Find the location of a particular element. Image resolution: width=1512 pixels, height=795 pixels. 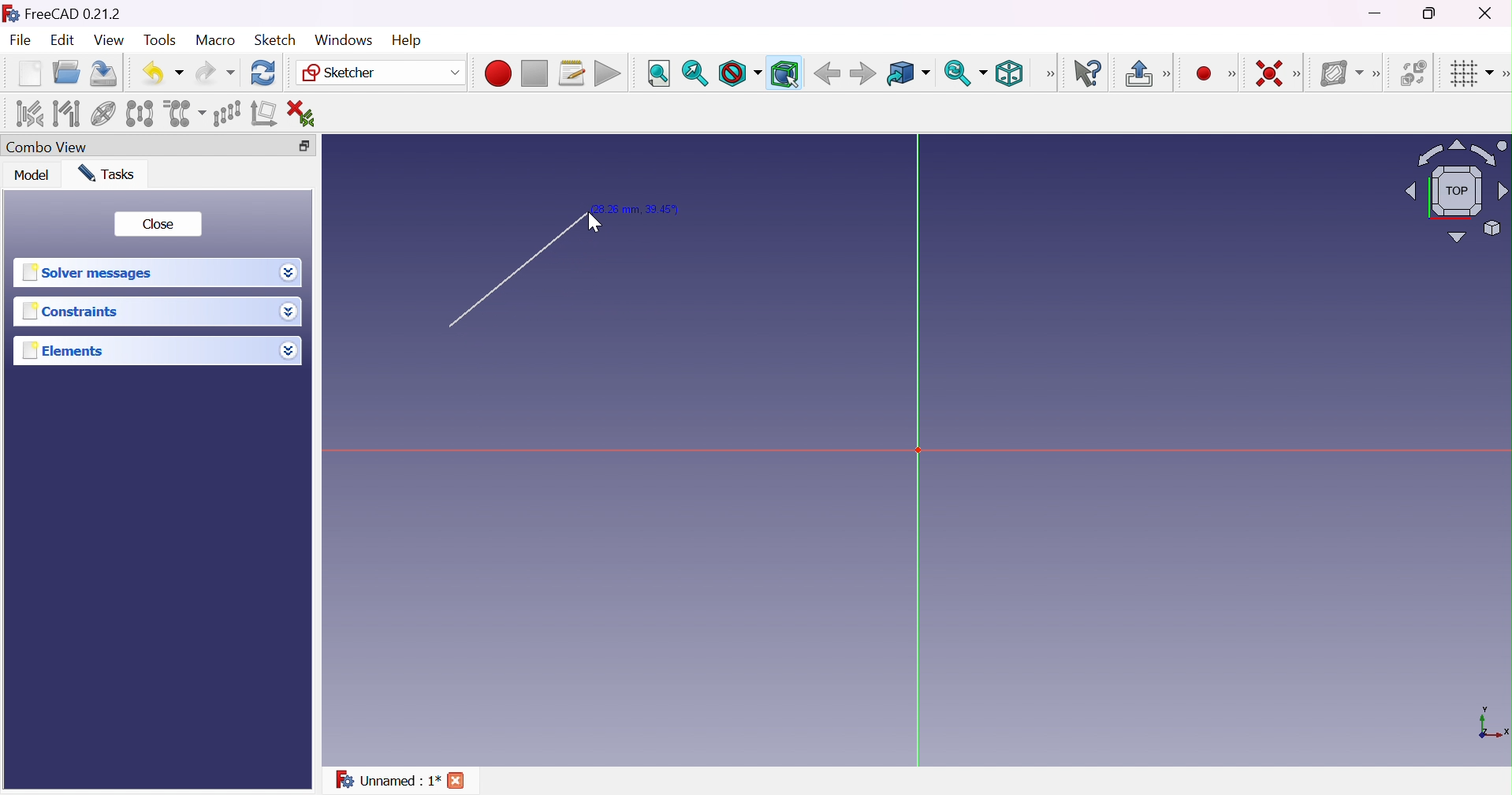

Symmetry is located at coordinates (139, 114).